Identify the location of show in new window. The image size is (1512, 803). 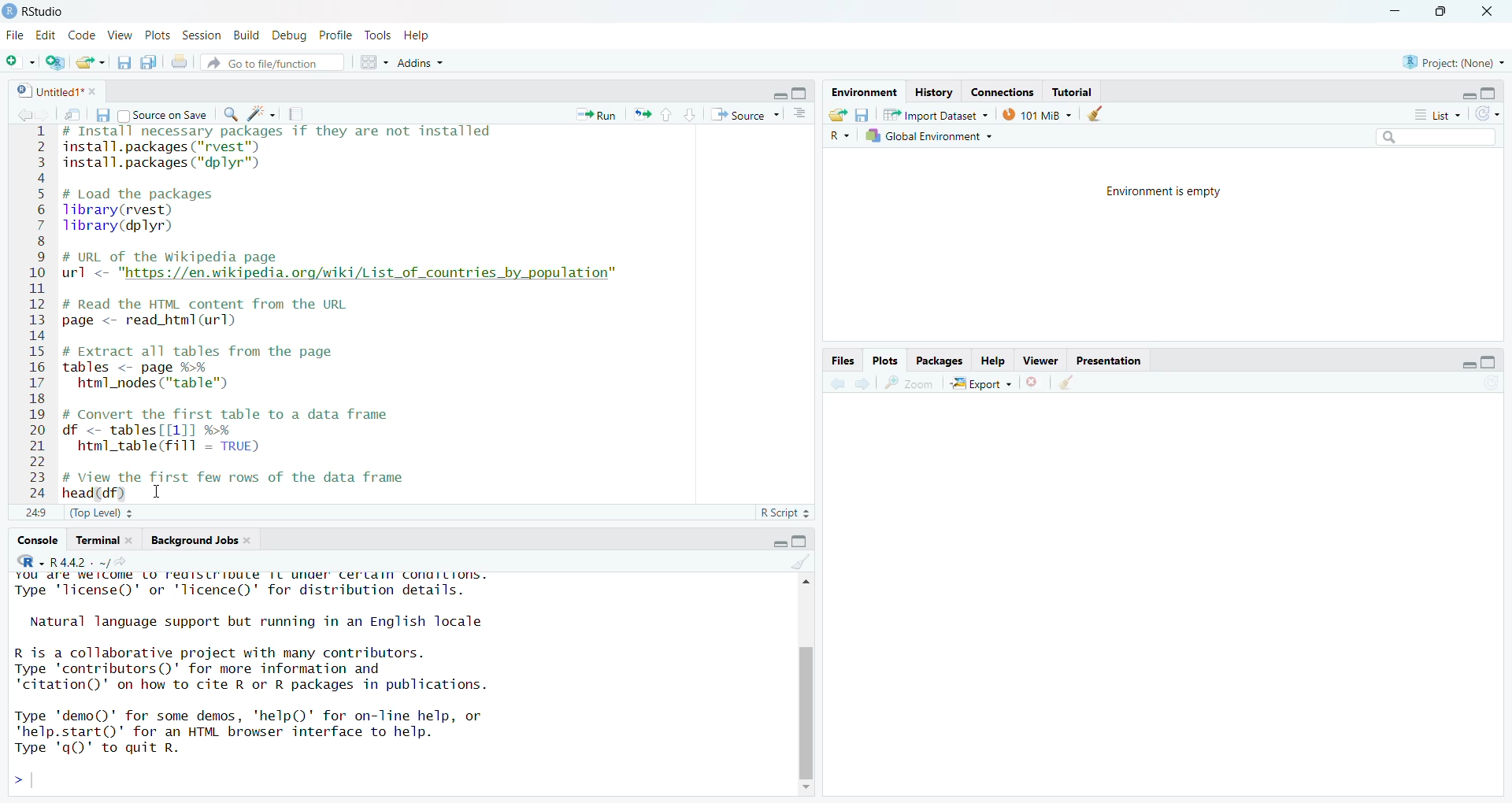
(72, 114).